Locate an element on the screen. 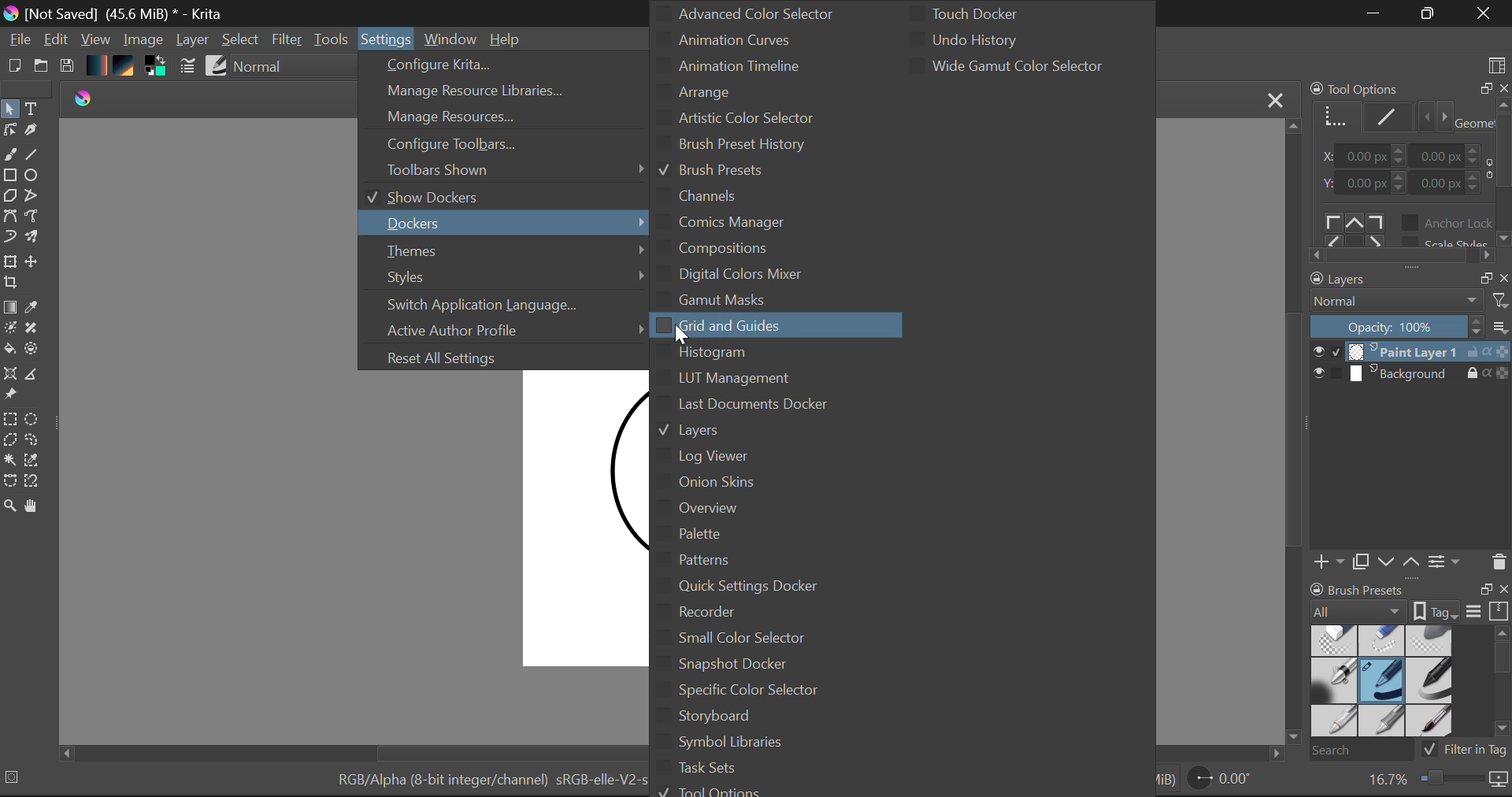  Crop is located at coordinates (13, 284).